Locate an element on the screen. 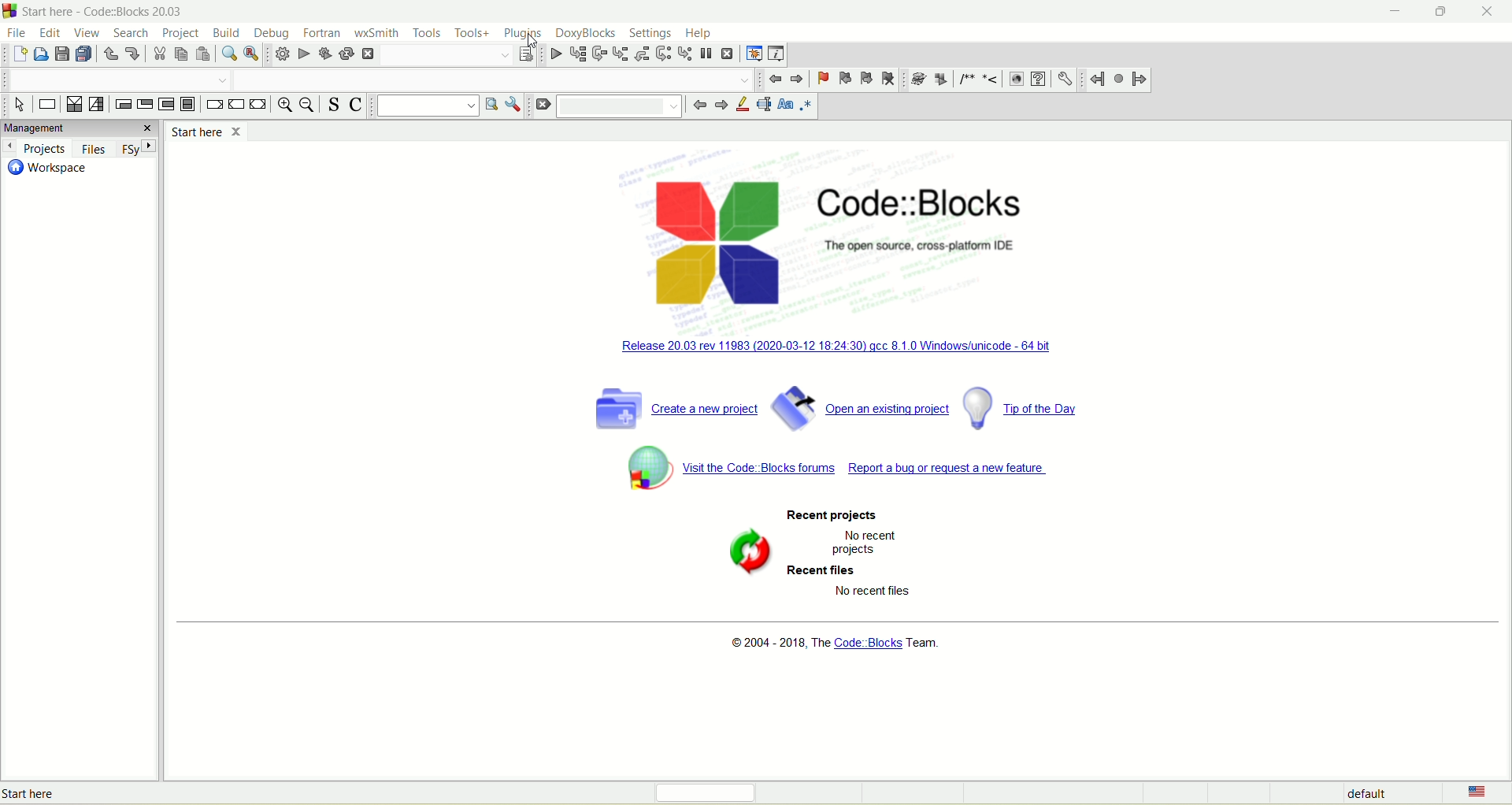 The width and height of the screenshot is (1512, 805). selection is located at coordinates (96, 103).